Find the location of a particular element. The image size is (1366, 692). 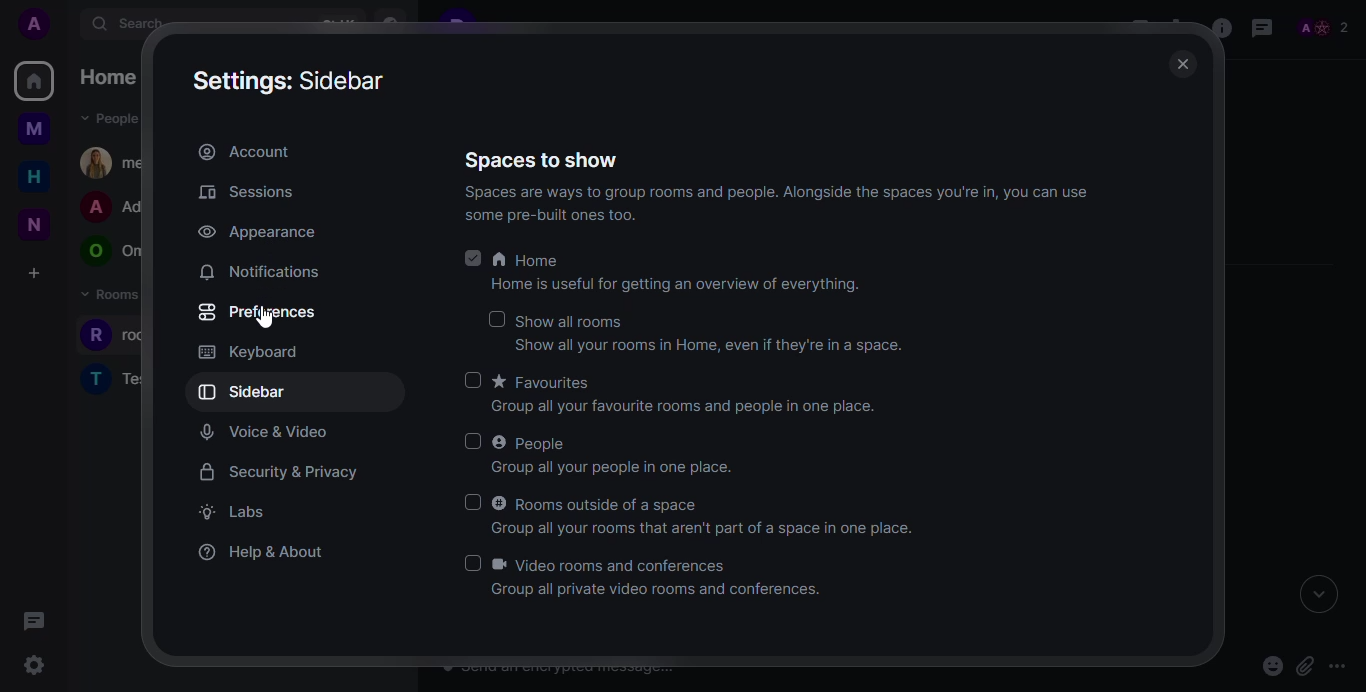

spaces to show is located at coordinates (545, 162).